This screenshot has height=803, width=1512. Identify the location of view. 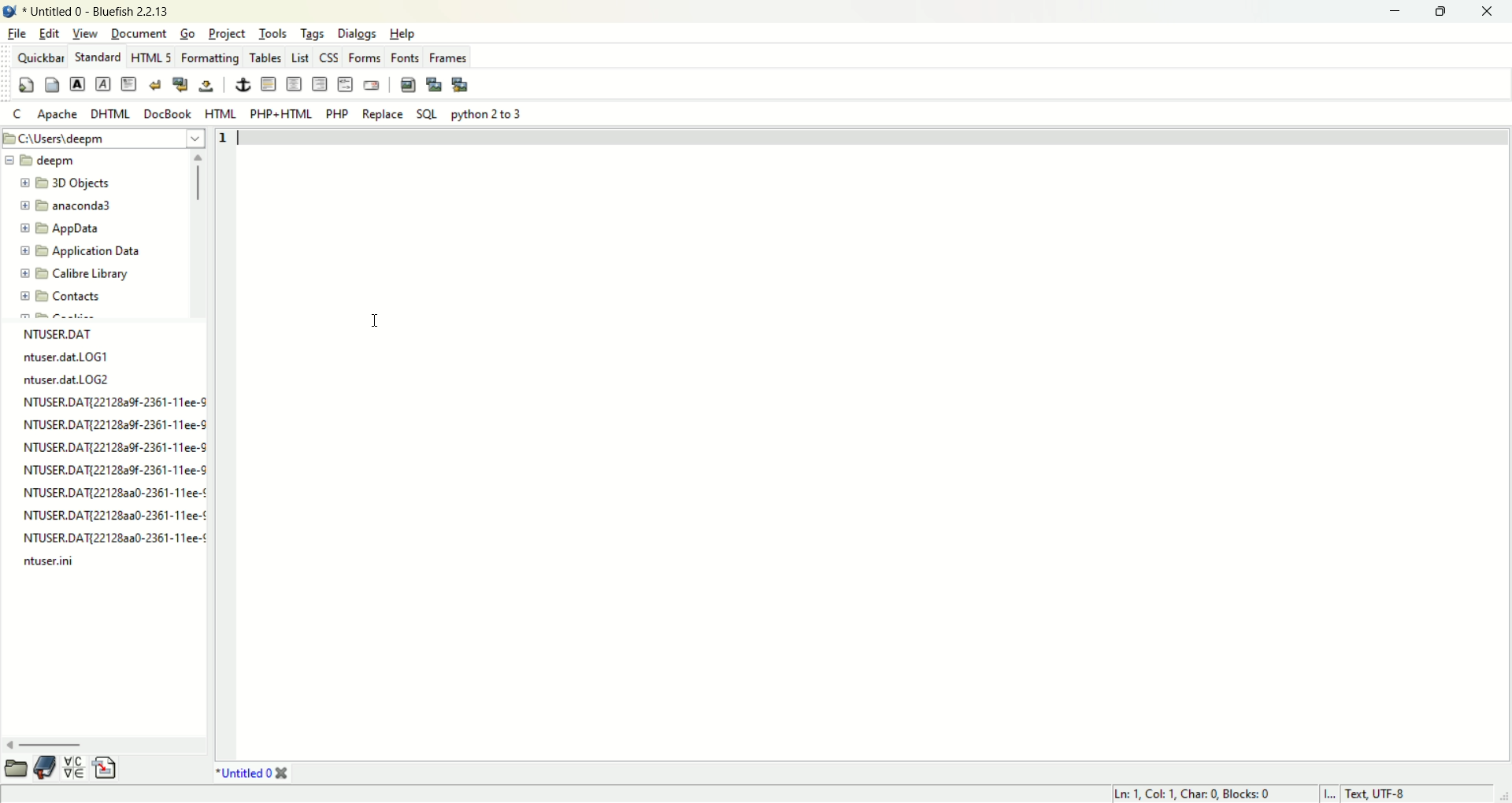
(83, 34).